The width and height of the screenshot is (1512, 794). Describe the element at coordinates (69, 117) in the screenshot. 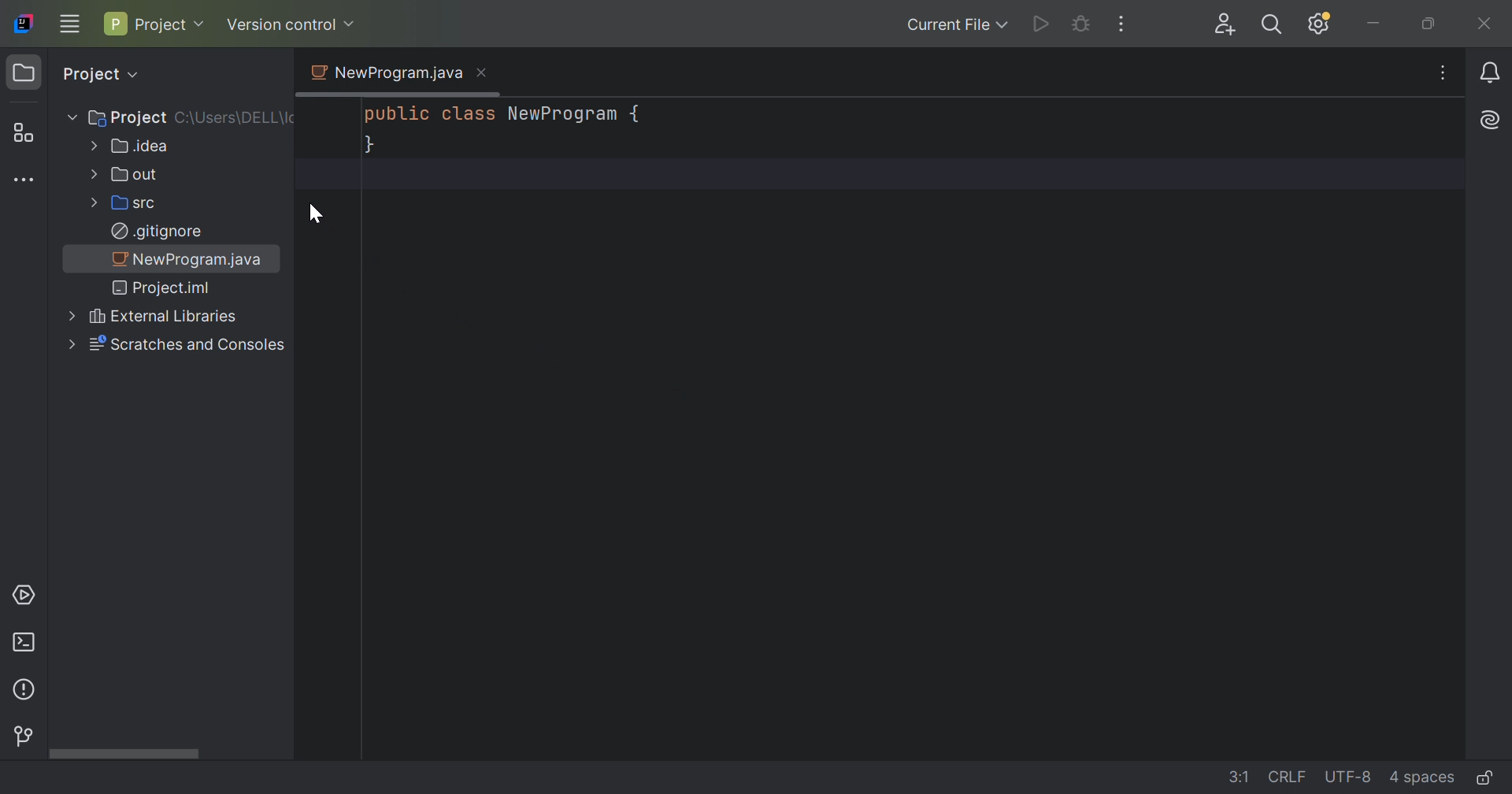

I see `Drop Down` at that location.